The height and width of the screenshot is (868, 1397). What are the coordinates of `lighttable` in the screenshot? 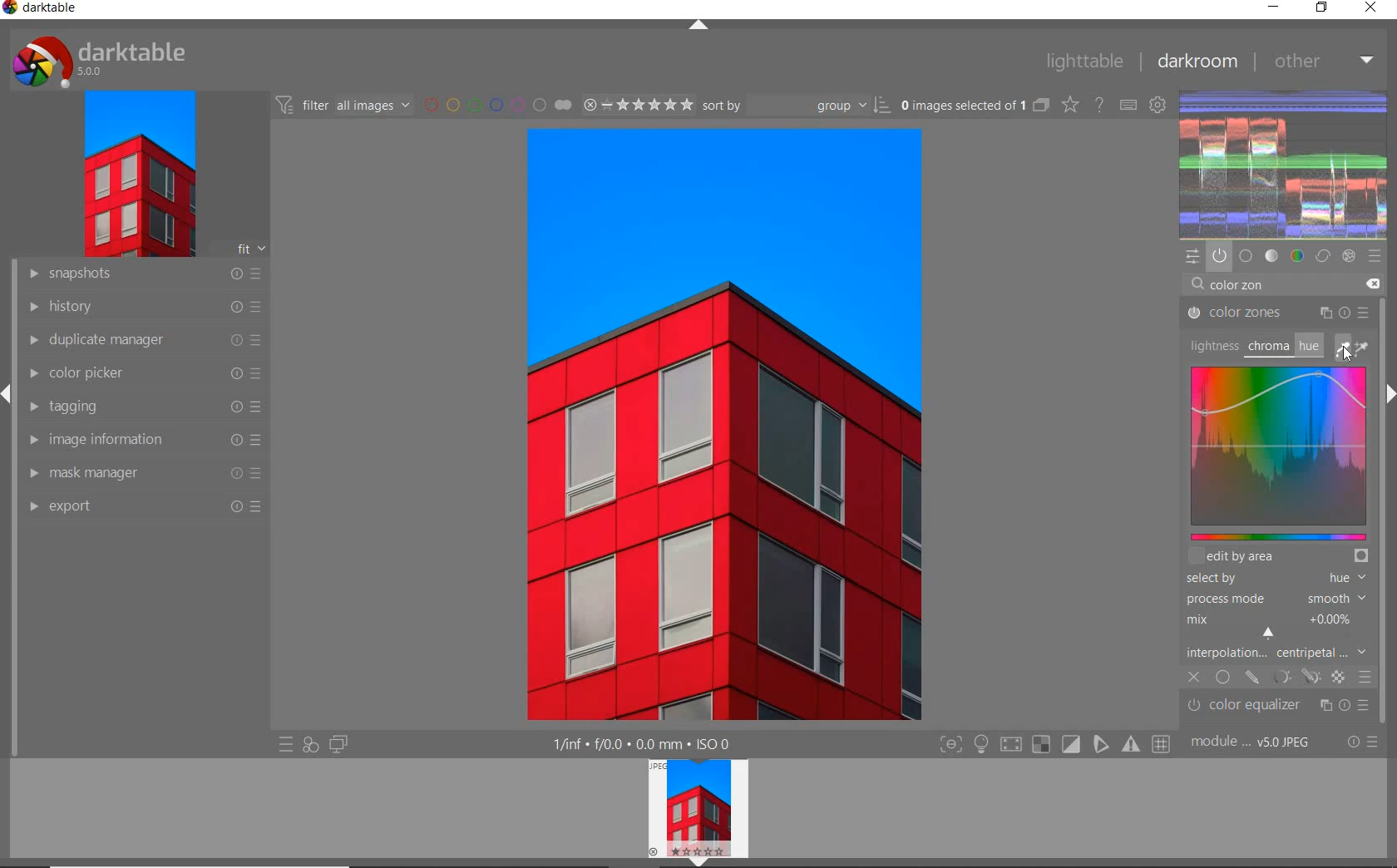 It's located at (1083, 62).